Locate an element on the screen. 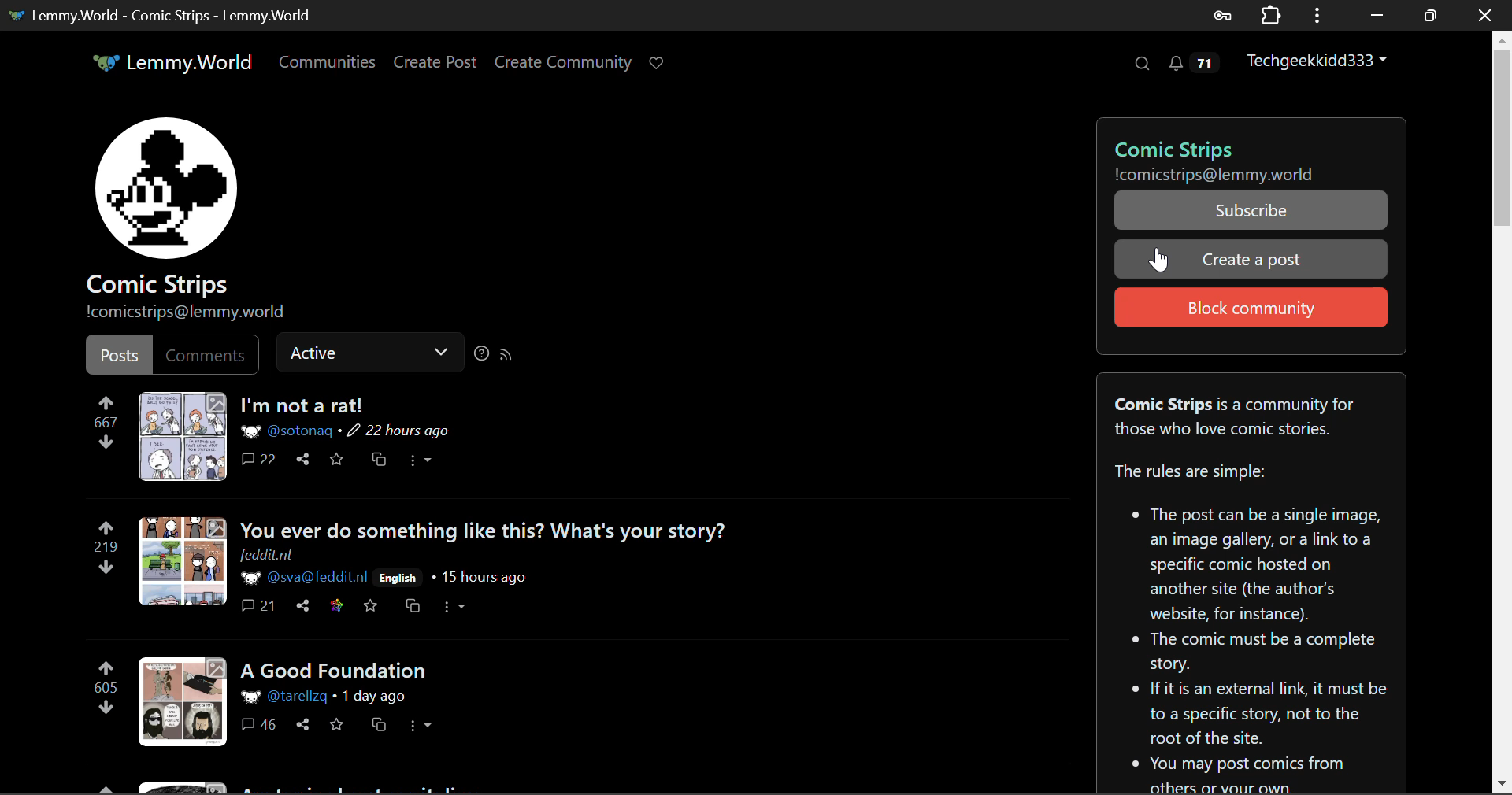 This screenshot has height=795, width=1512. Comments Filter Unselected is located at coordinates (208, 353).